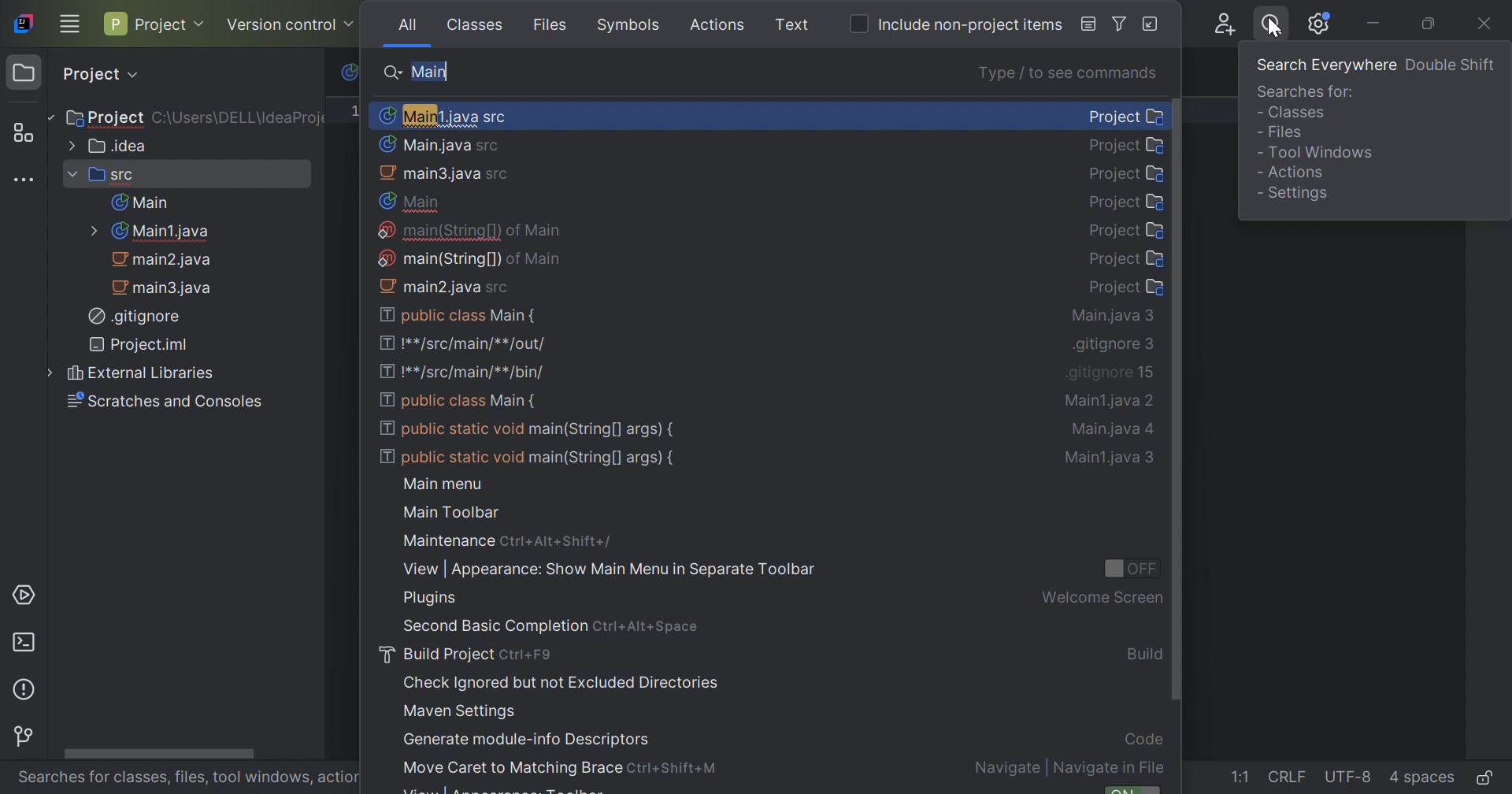 This screenshot has height=794, width=1512. Describe the element at coordinates (1102, 599) in the screenshot. I see `Welcome screen` at that location.